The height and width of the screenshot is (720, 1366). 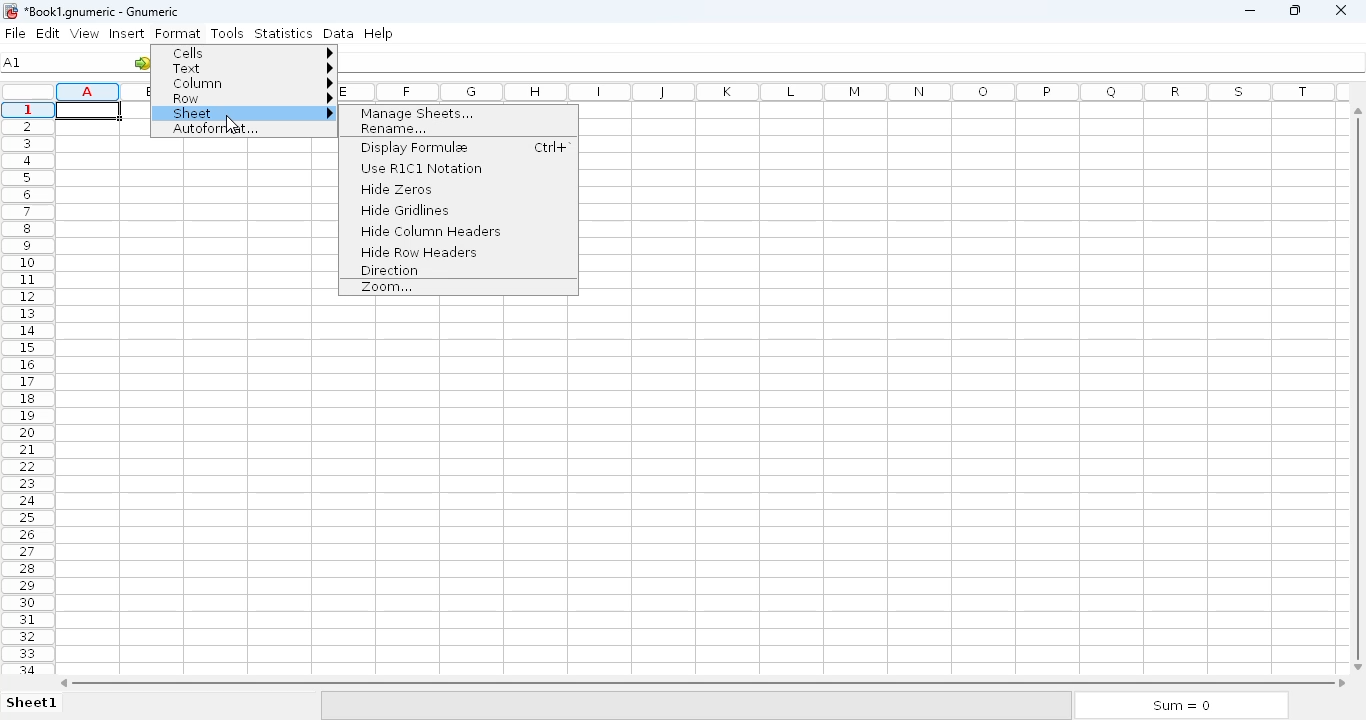 What do you see at coordinates (13, 62) in the screenshot?
I see `cell name A1` at bounding box center [13, 62].